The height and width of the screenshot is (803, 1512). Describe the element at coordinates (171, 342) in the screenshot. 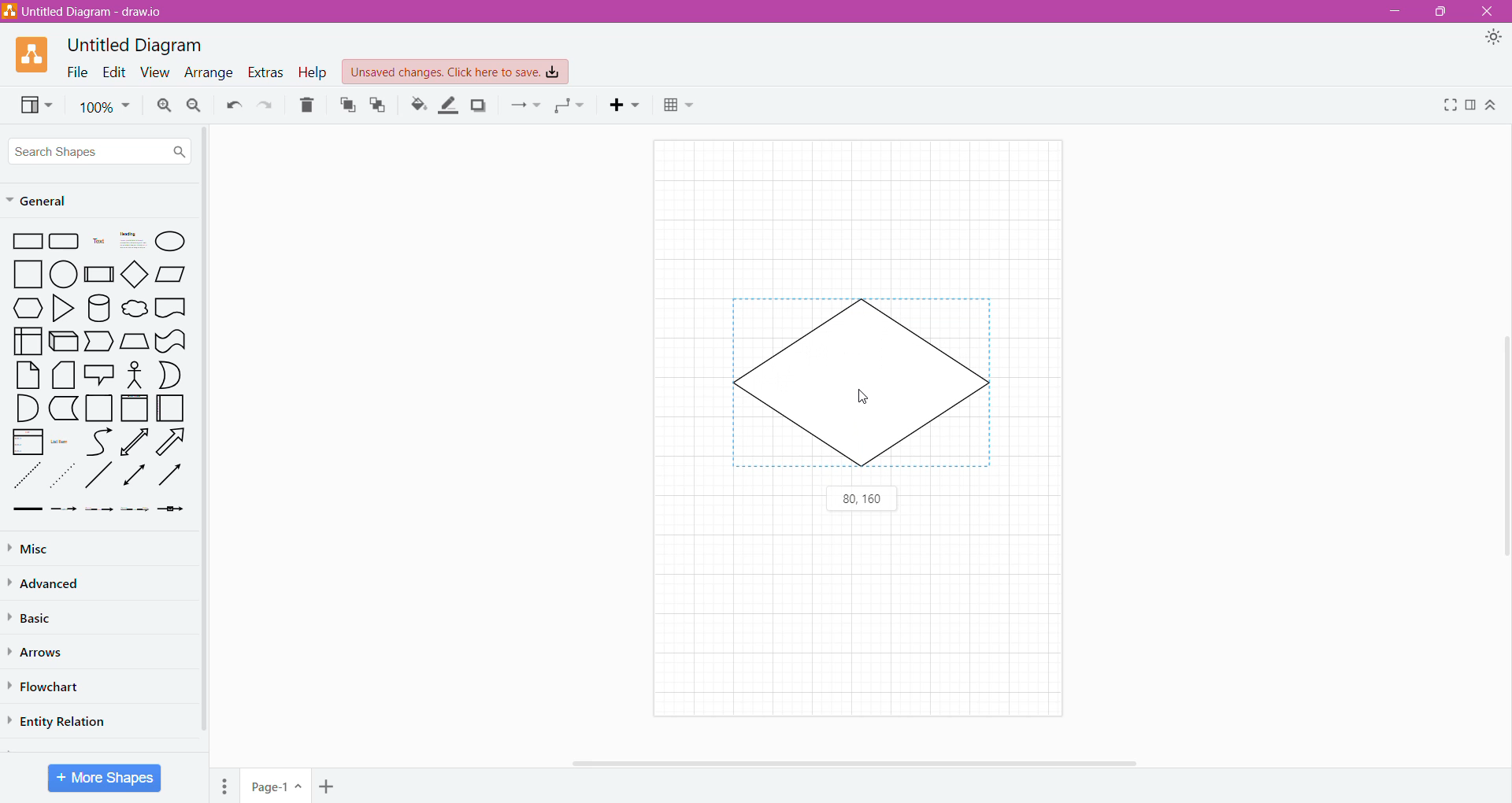

I see `Tape` at that location.